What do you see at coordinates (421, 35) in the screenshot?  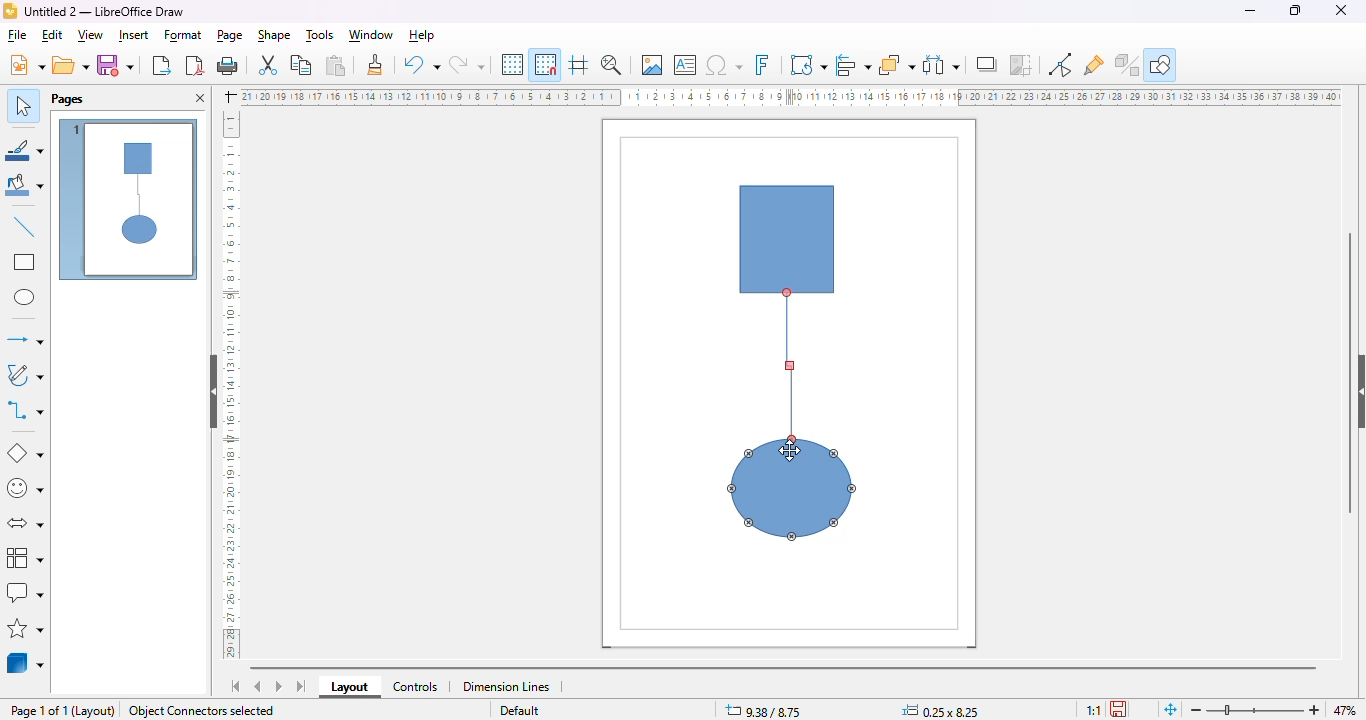 I see `help` at bounding box center [421, 35].